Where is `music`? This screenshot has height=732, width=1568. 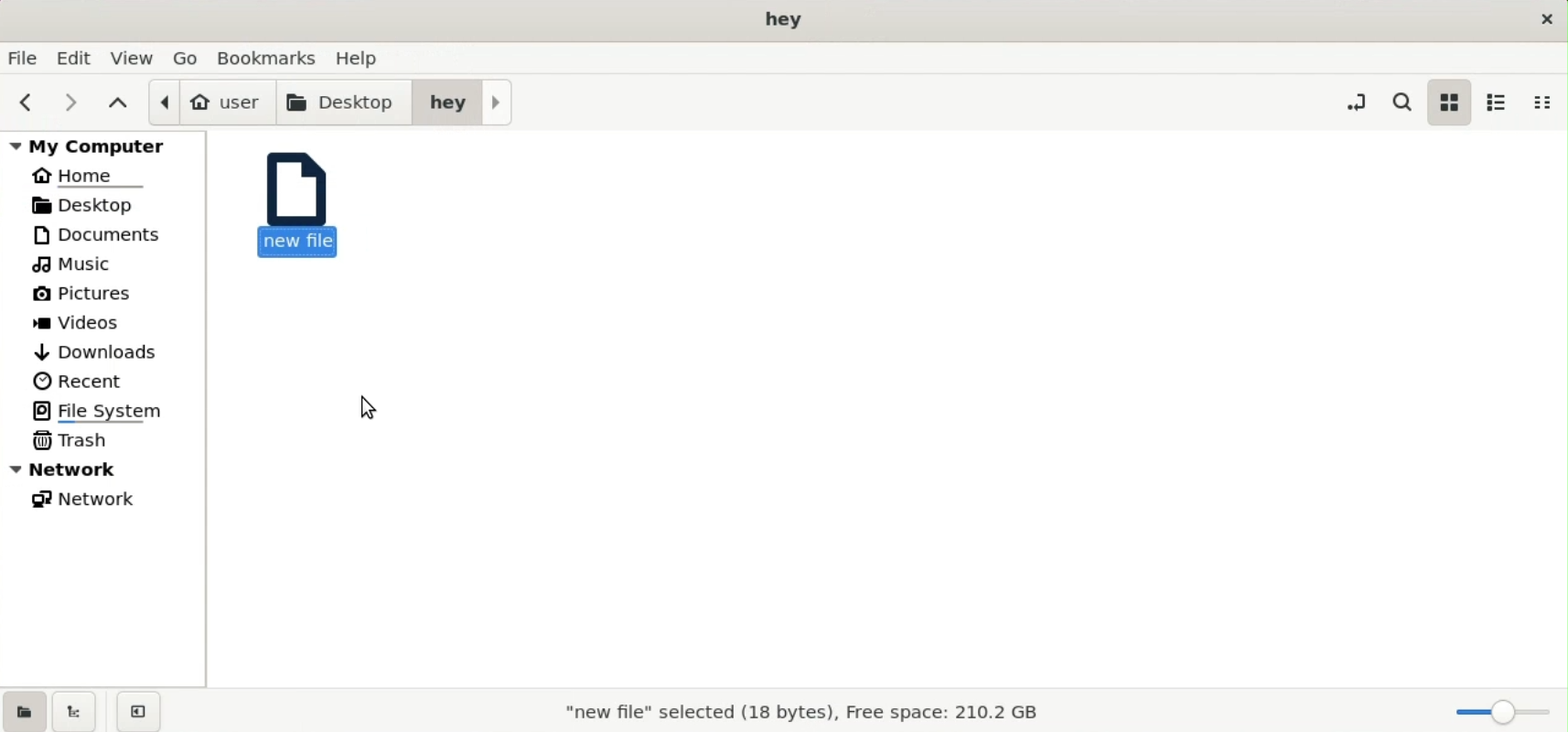
music is located at coordinates (78, 265).